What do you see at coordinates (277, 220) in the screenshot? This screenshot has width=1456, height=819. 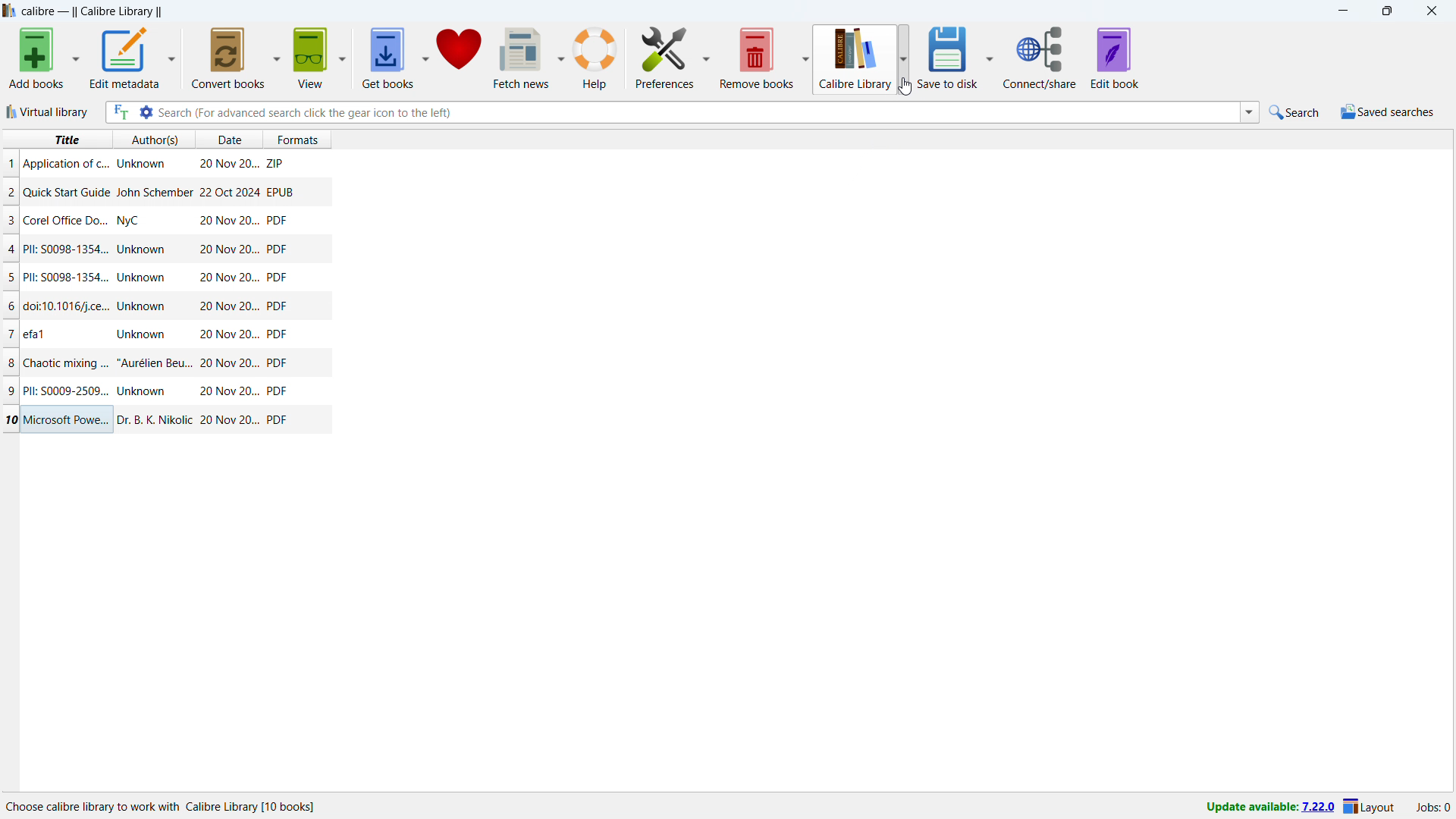 I see `PDF` at bounding box center [277, 220].